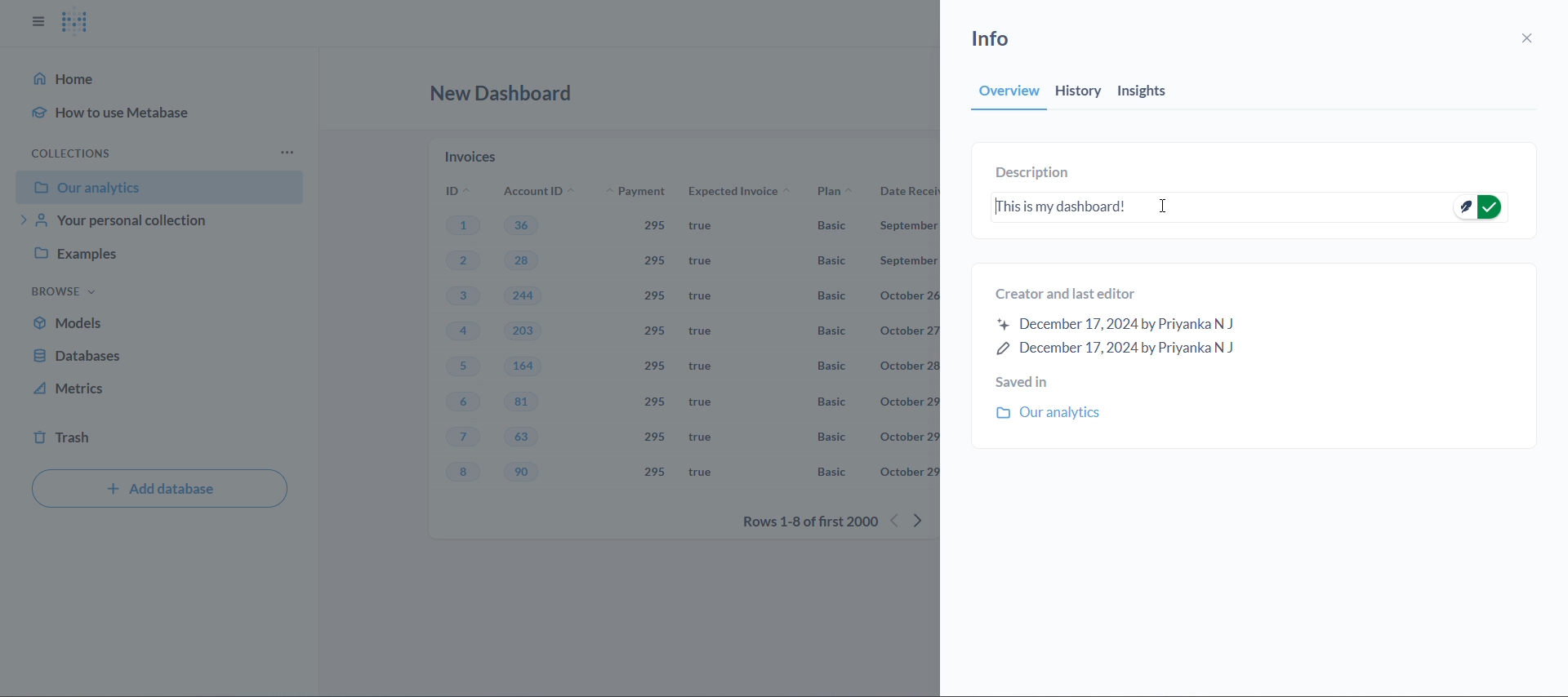  I want to click on next row, so click(928, 518).